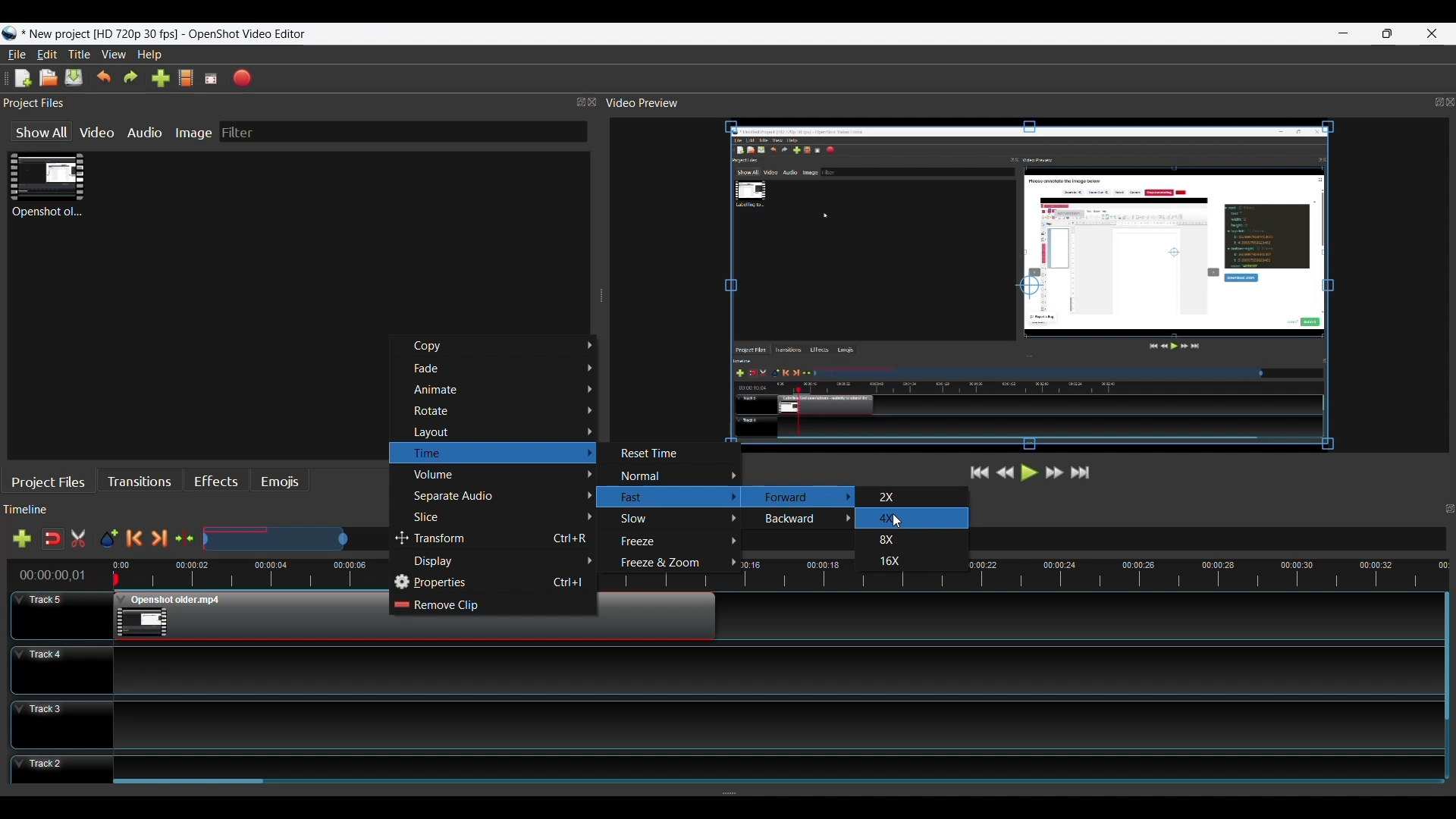  What do you see at coordinates (491, 606) in the screenshot?
I see `Remove Clip` at bounding box center [491, 606].